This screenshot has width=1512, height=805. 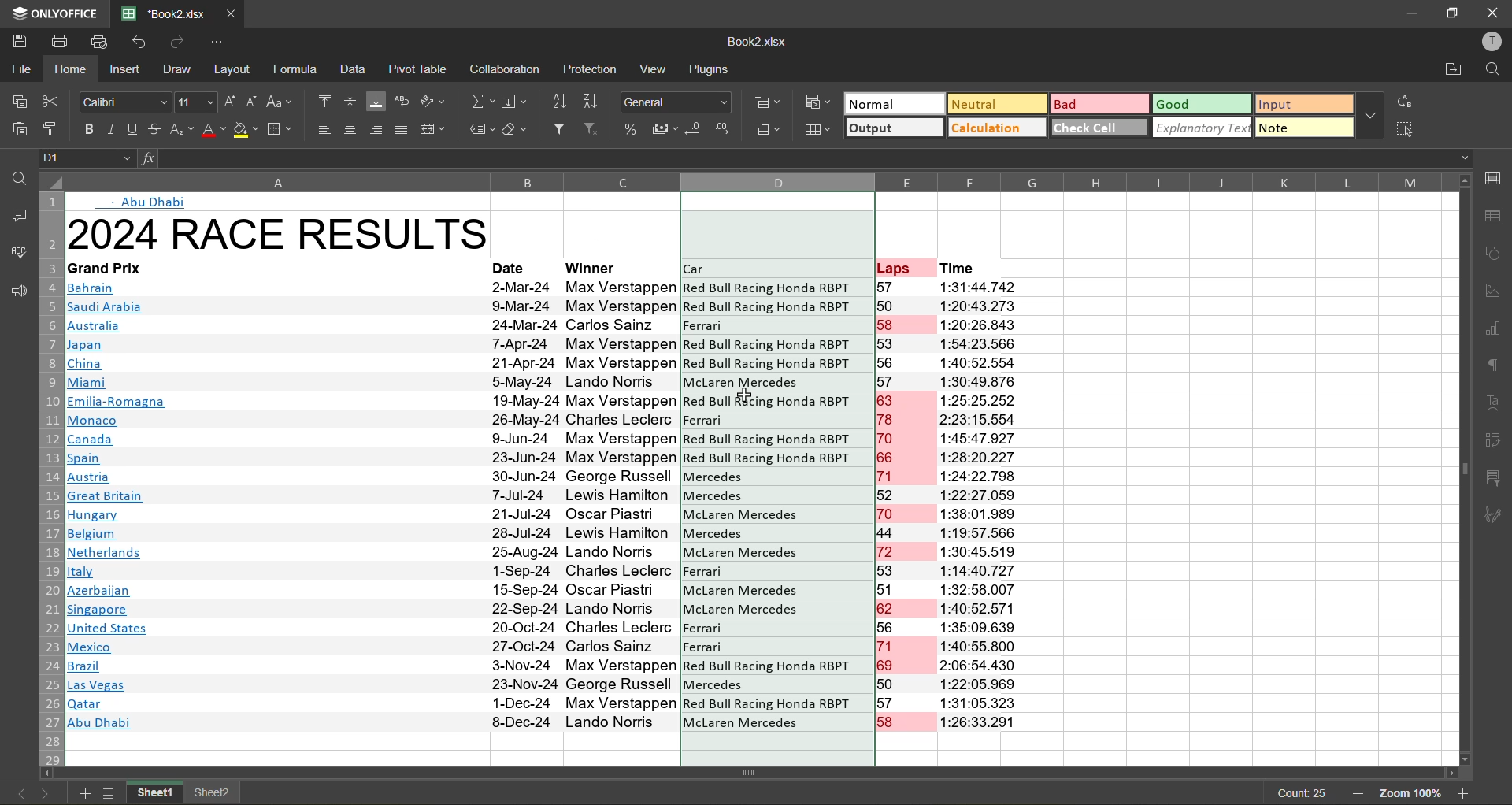 What do you see at coordinates (16, 102) in the screenshot?
I see `copy` at bounding box center [16, 102].